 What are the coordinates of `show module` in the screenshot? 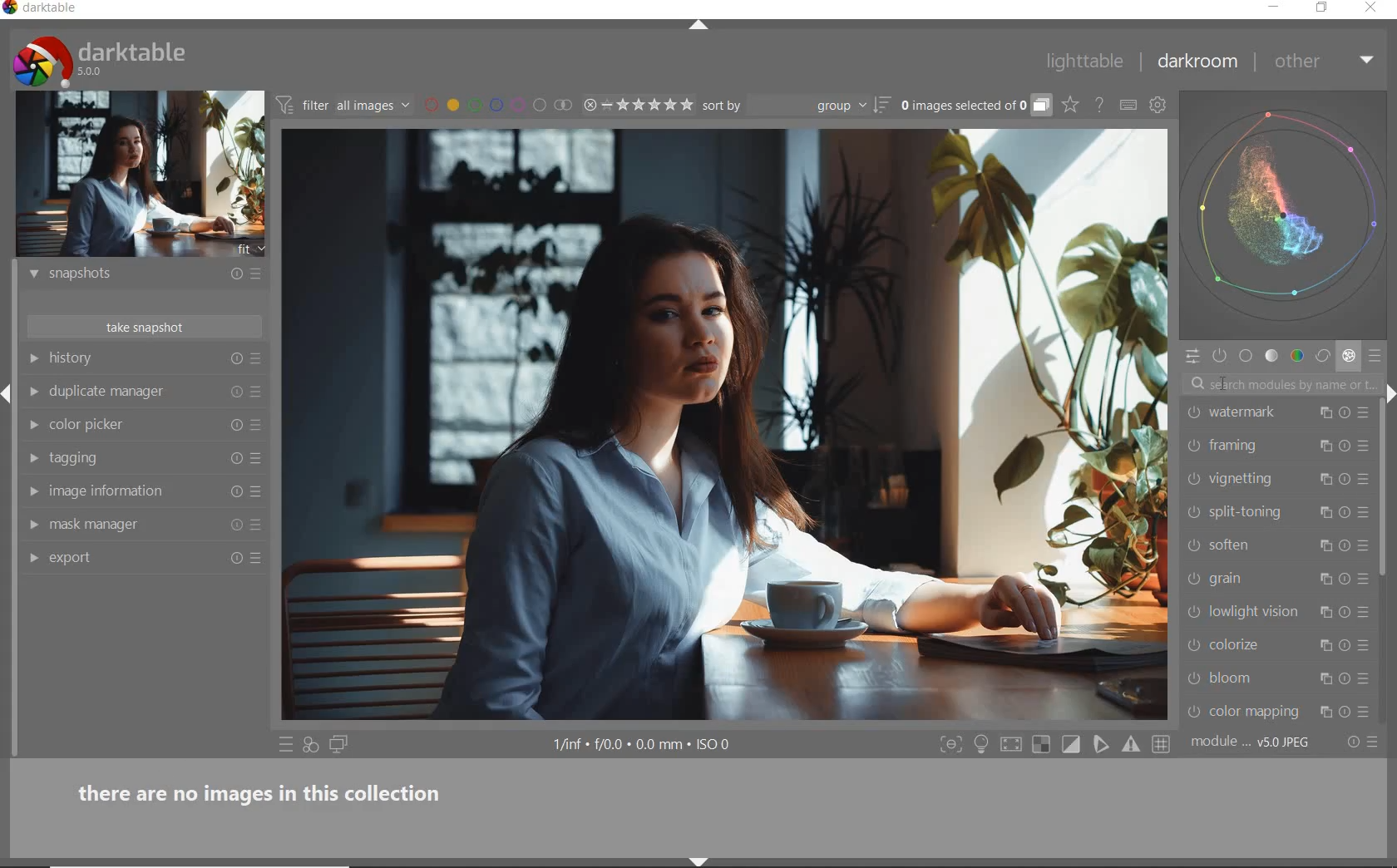 It's located at (32, 358).